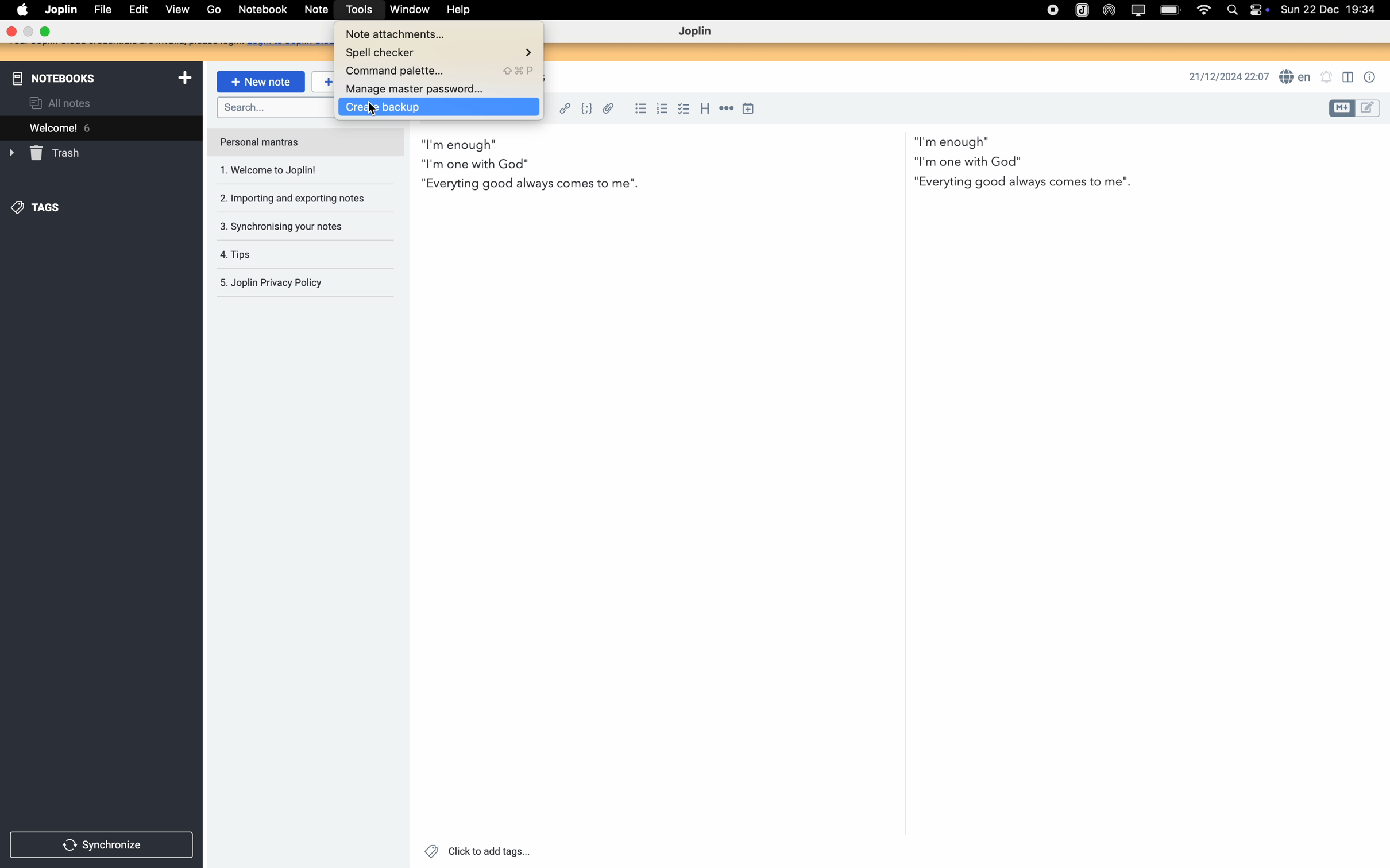  I want to click on welcome, so click(99, 129).